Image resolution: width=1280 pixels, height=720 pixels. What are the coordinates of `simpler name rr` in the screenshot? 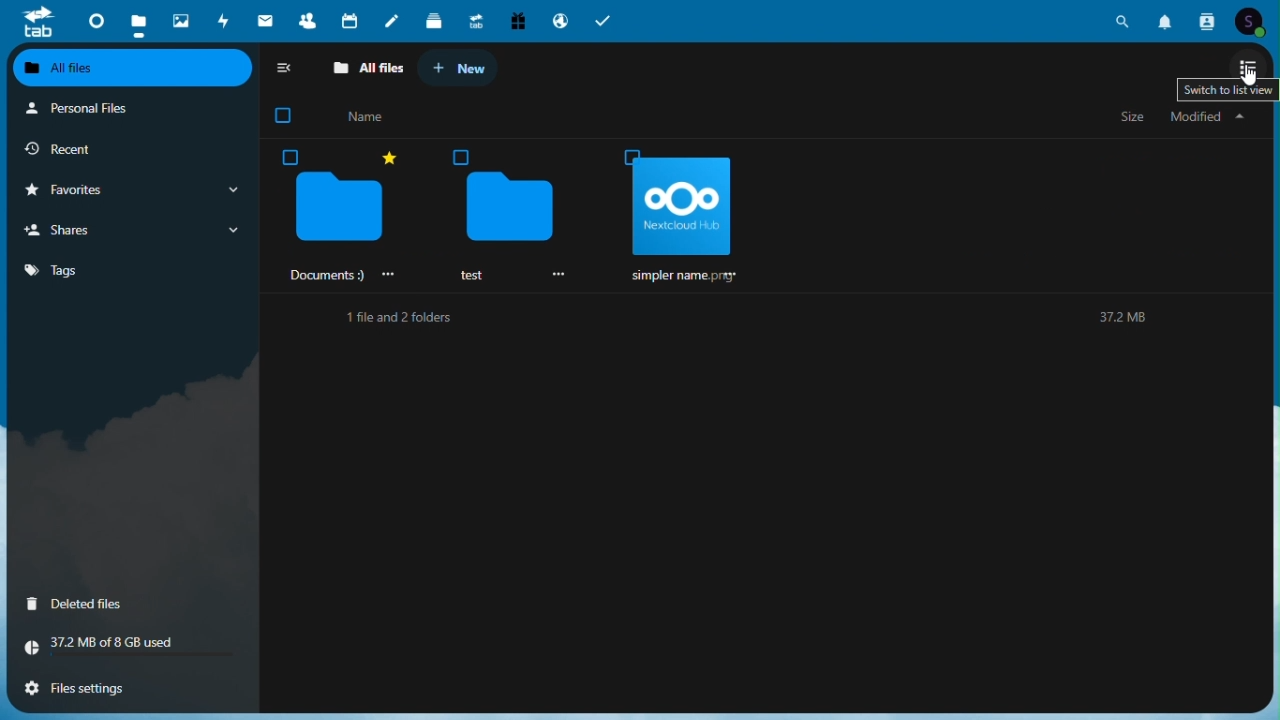 It's located at (683, 220).